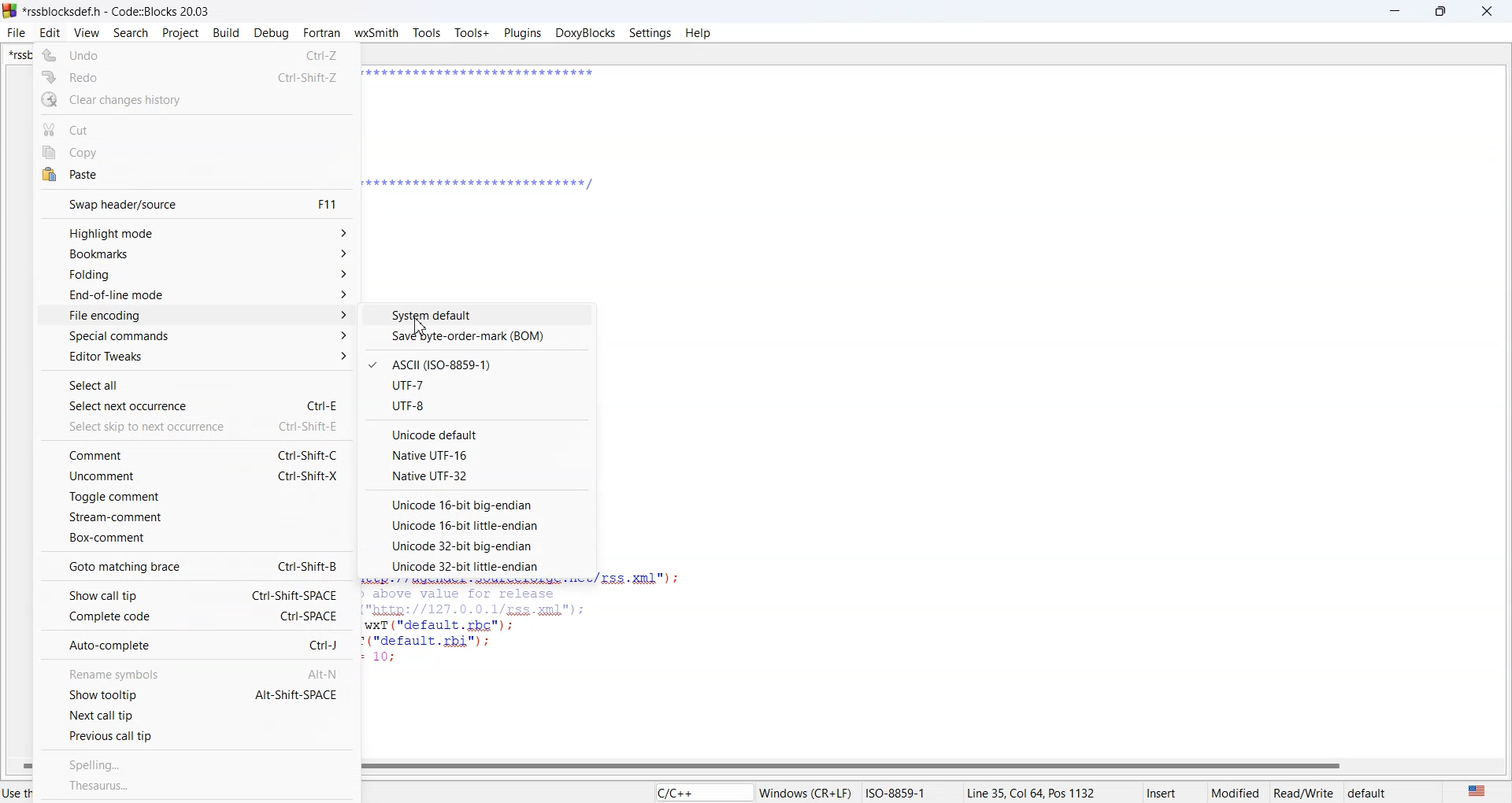 This screenshot has width=1512, height=803. Describe the element at coordinates (197, 76) in the screenshot. I see `Redo` at that location.